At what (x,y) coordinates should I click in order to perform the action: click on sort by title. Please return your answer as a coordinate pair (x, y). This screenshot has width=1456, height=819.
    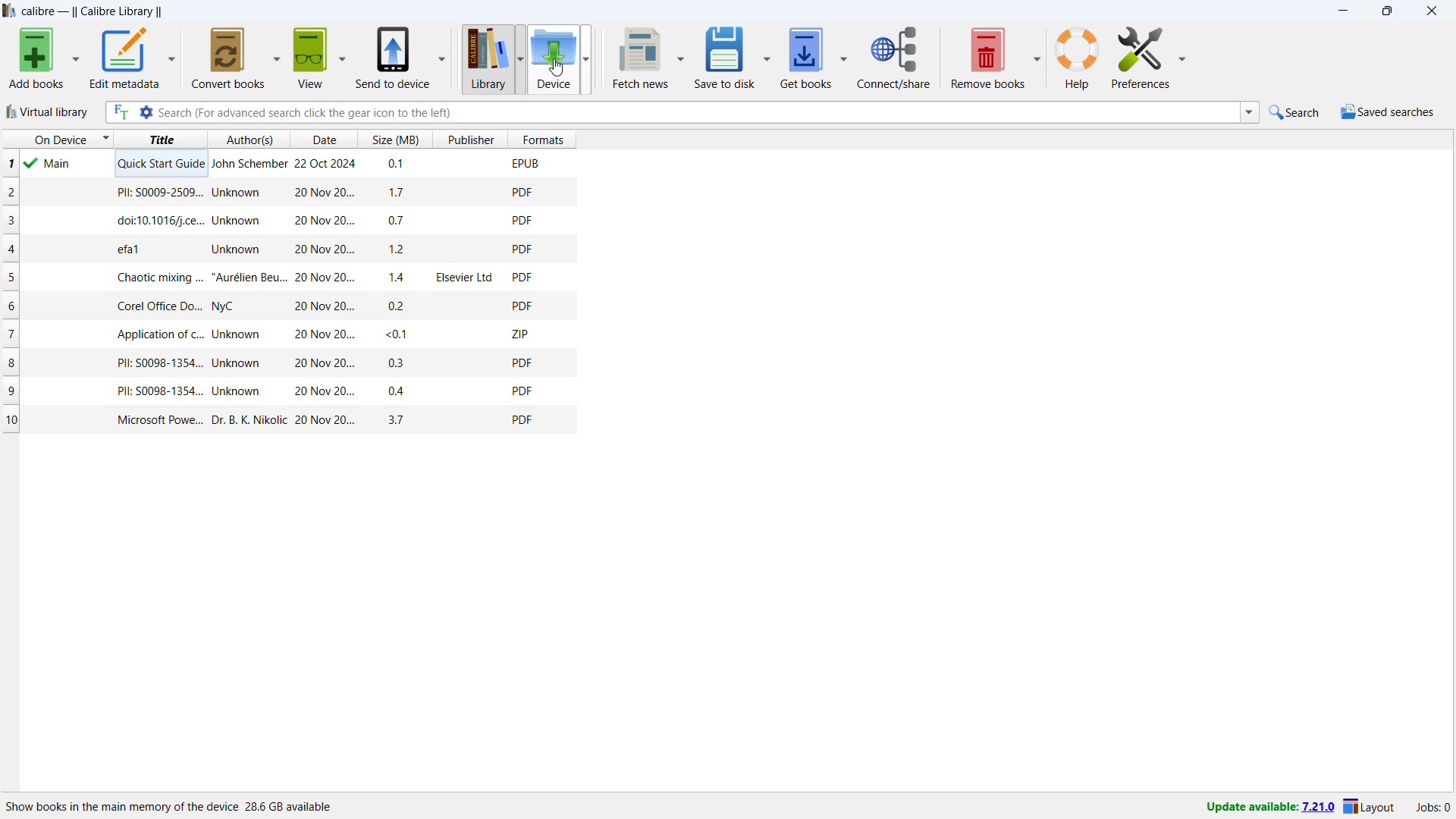
    Looking at the image, I should click on (158, 140).